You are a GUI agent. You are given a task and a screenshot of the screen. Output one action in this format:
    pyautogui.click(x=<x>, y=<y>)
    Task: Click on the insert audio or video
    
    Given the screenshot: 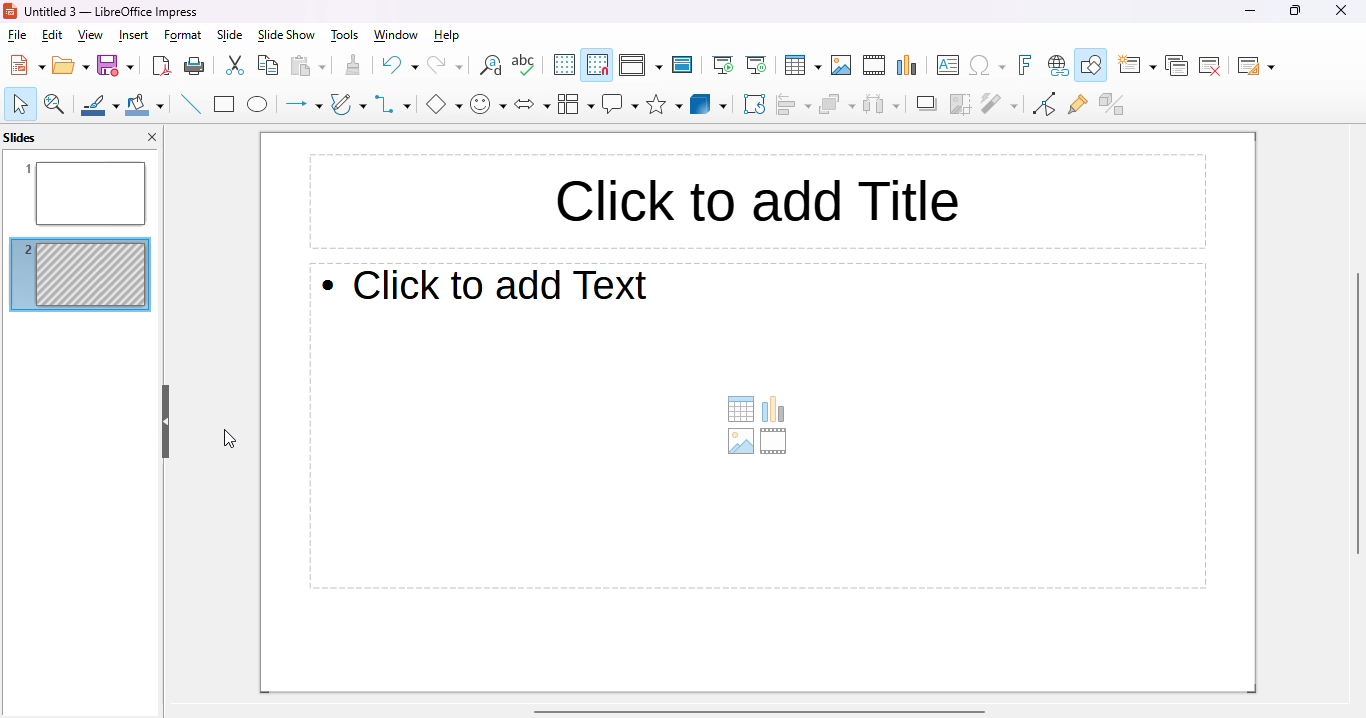 What is the action you would take?
    pyautogui.click(x=875, y=65)
    